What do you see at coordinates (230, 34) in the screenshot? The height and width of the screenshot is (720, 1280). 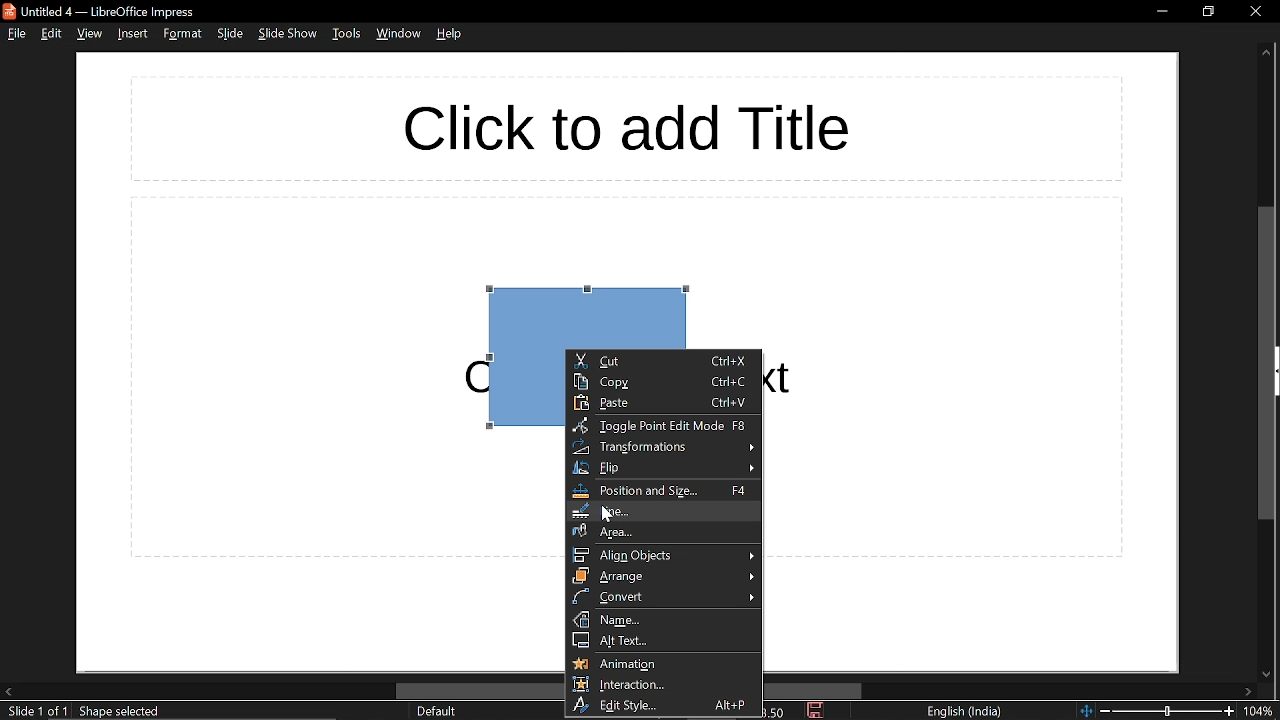 I see `slide` at bounding box center [230, 34].